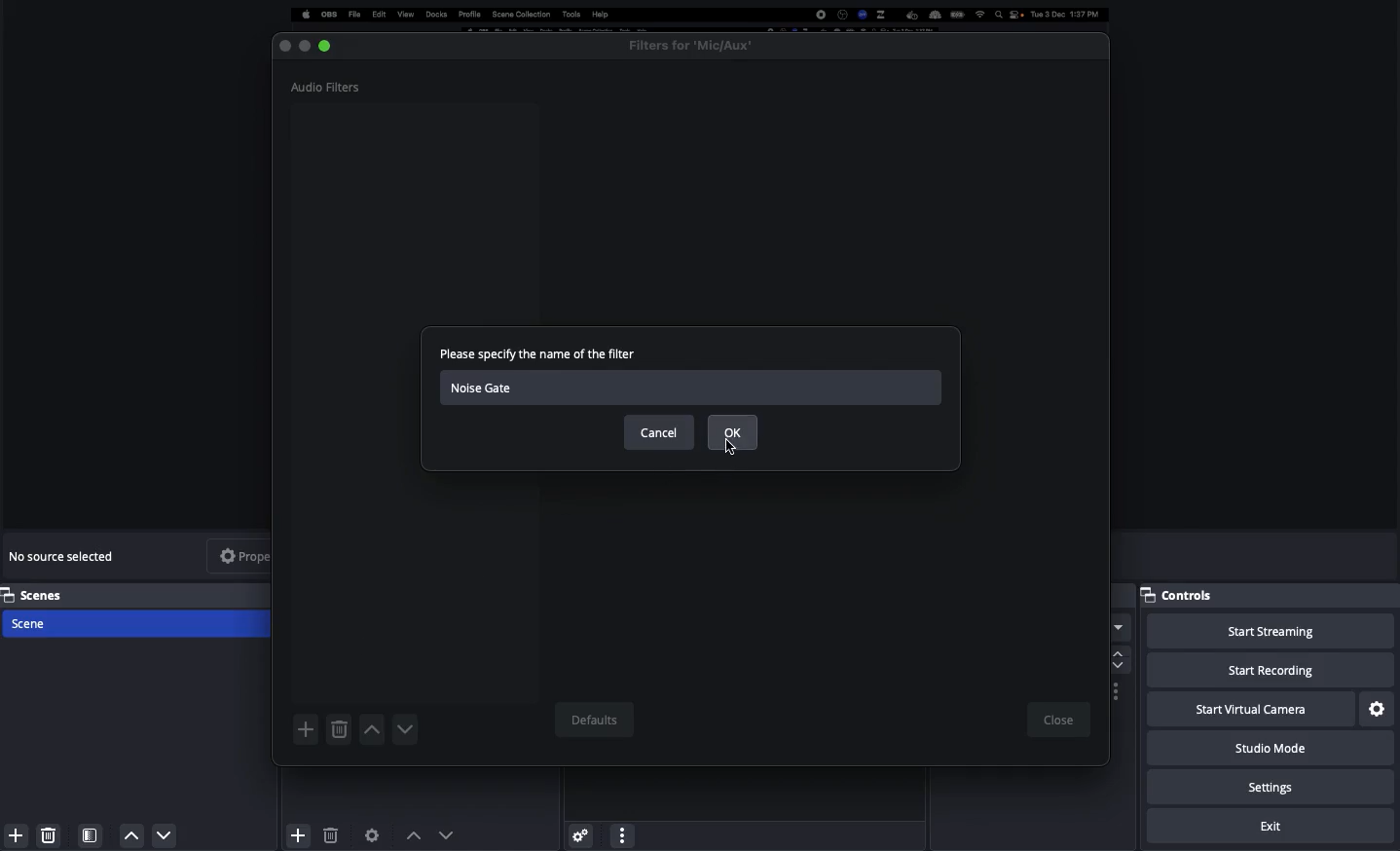  I want to click on Exit, so click(1273, 827).